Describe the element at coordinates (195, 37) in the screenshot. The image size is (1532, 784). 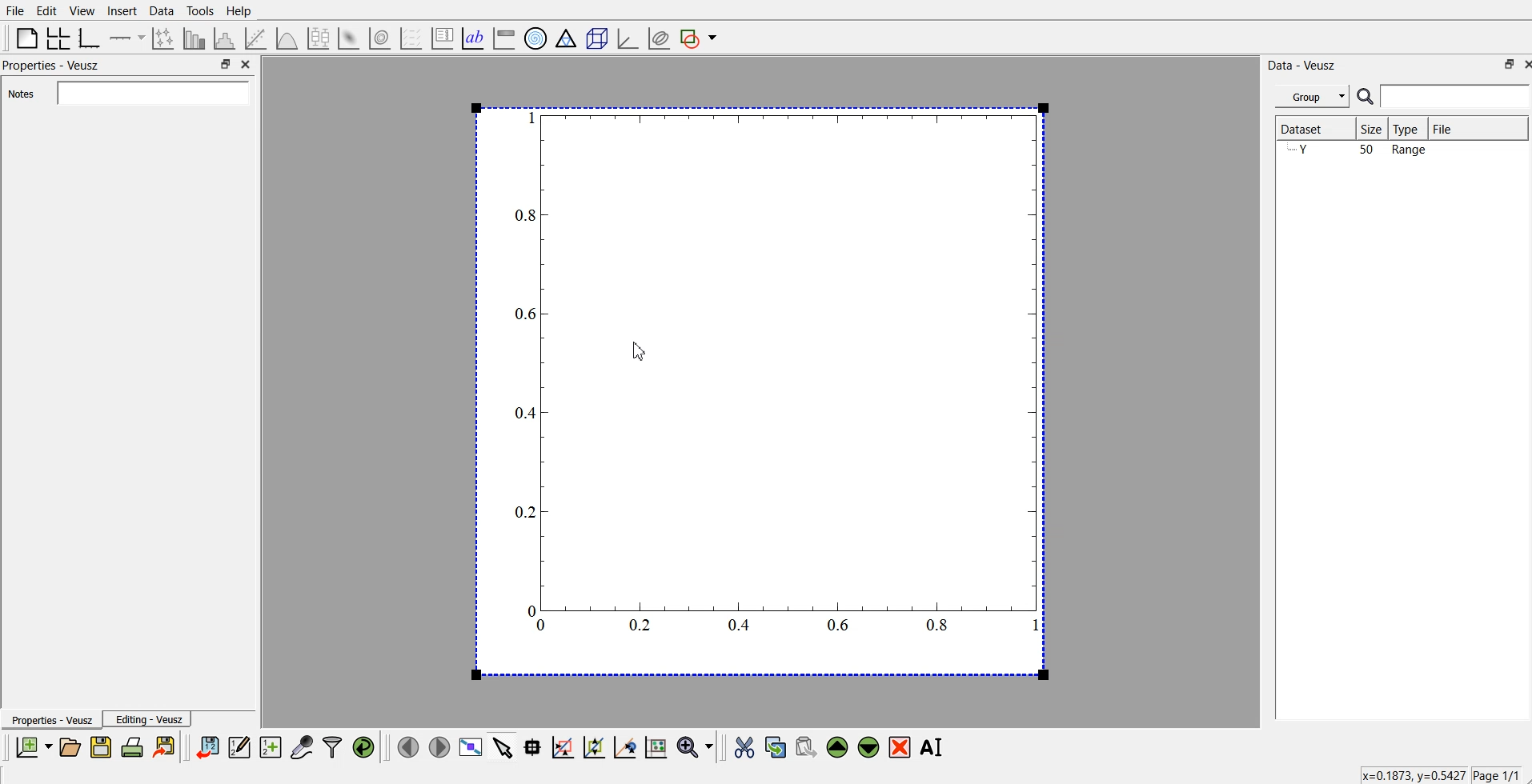
I see `bar chart` at that location.